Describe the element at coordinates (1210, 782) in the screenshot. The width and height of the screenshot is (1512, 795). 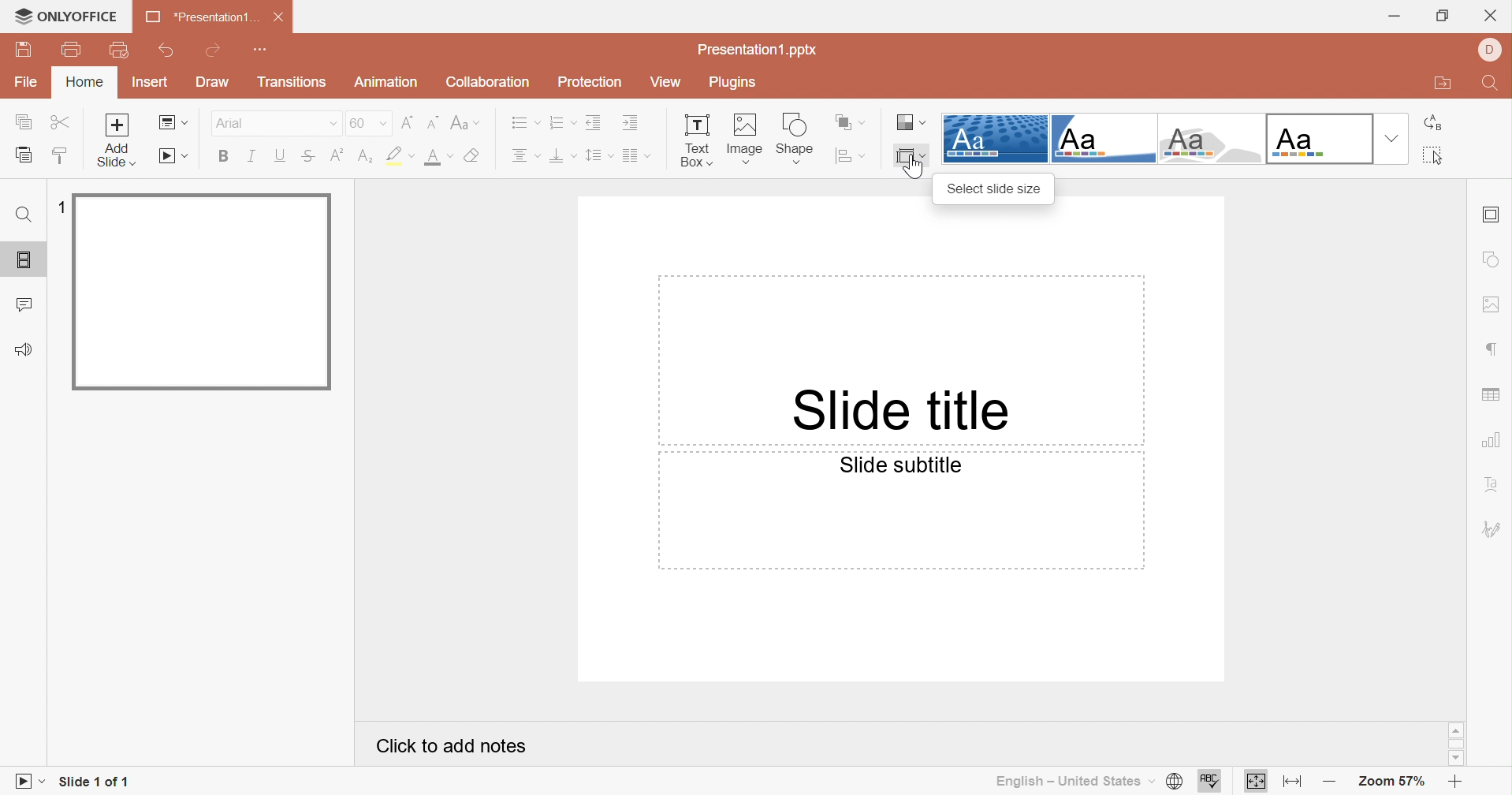
I see `Spell checking` at that location.